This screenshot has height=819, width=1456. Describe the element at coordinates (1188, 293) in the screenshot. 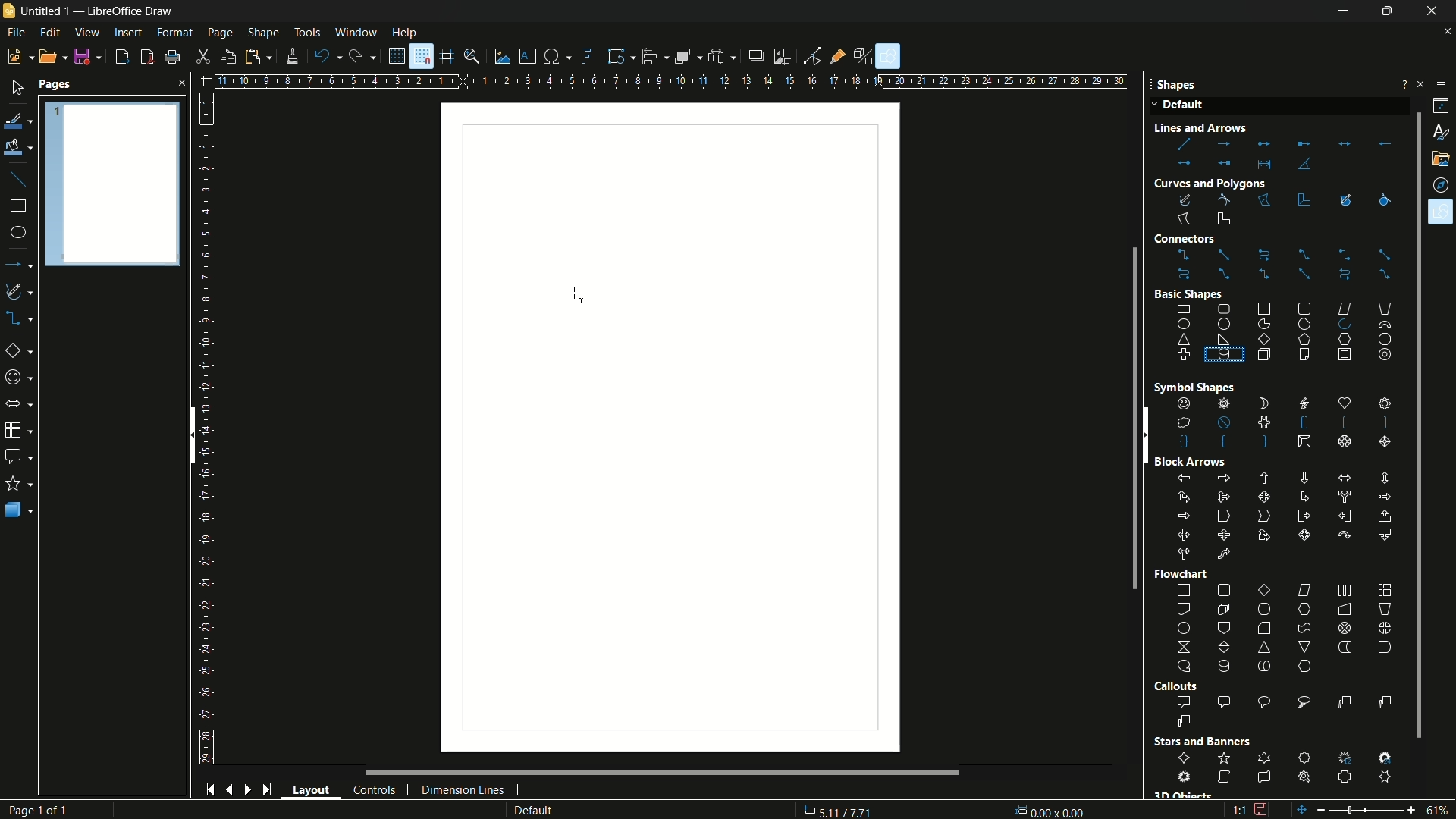

I see `Basic shape` at that location.